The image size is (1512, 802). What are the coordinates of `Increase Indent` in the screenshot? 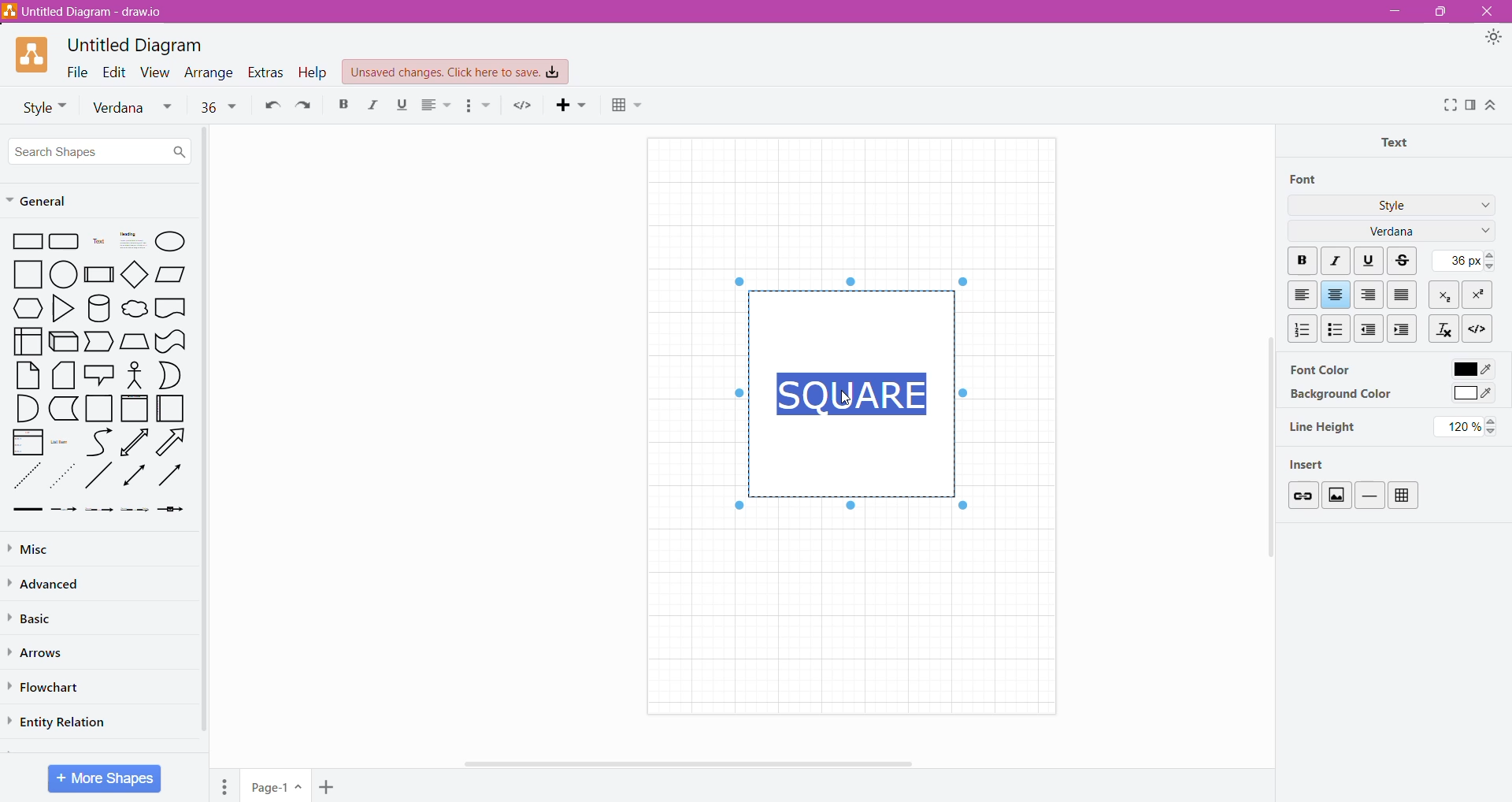 It's located at (1404, 329).